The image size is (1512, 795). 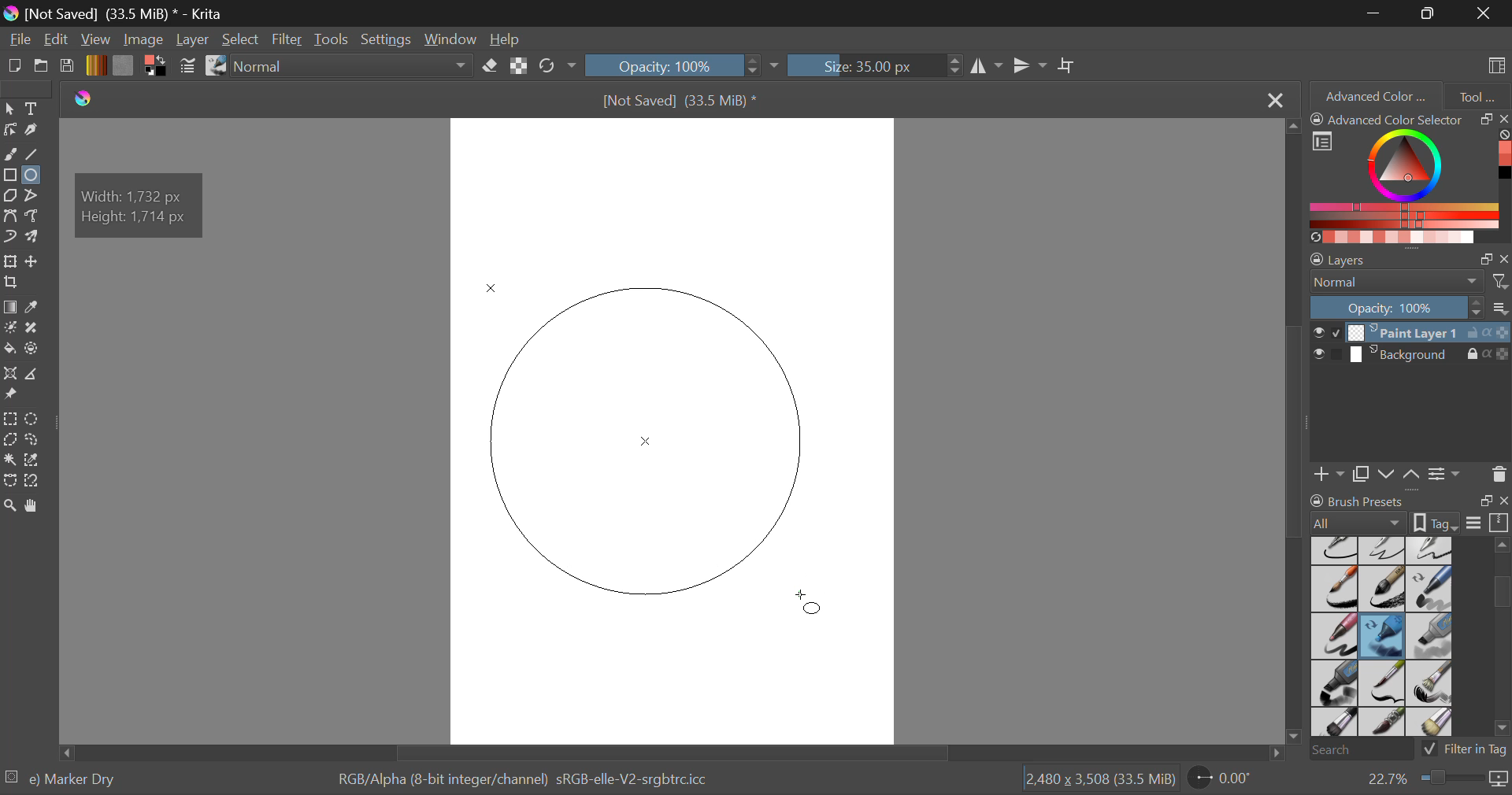 What do you see at coordinates (986, 65) in the screenshot?
I see `Horizontal Mirror Tool` at bounding box center [986, 65].